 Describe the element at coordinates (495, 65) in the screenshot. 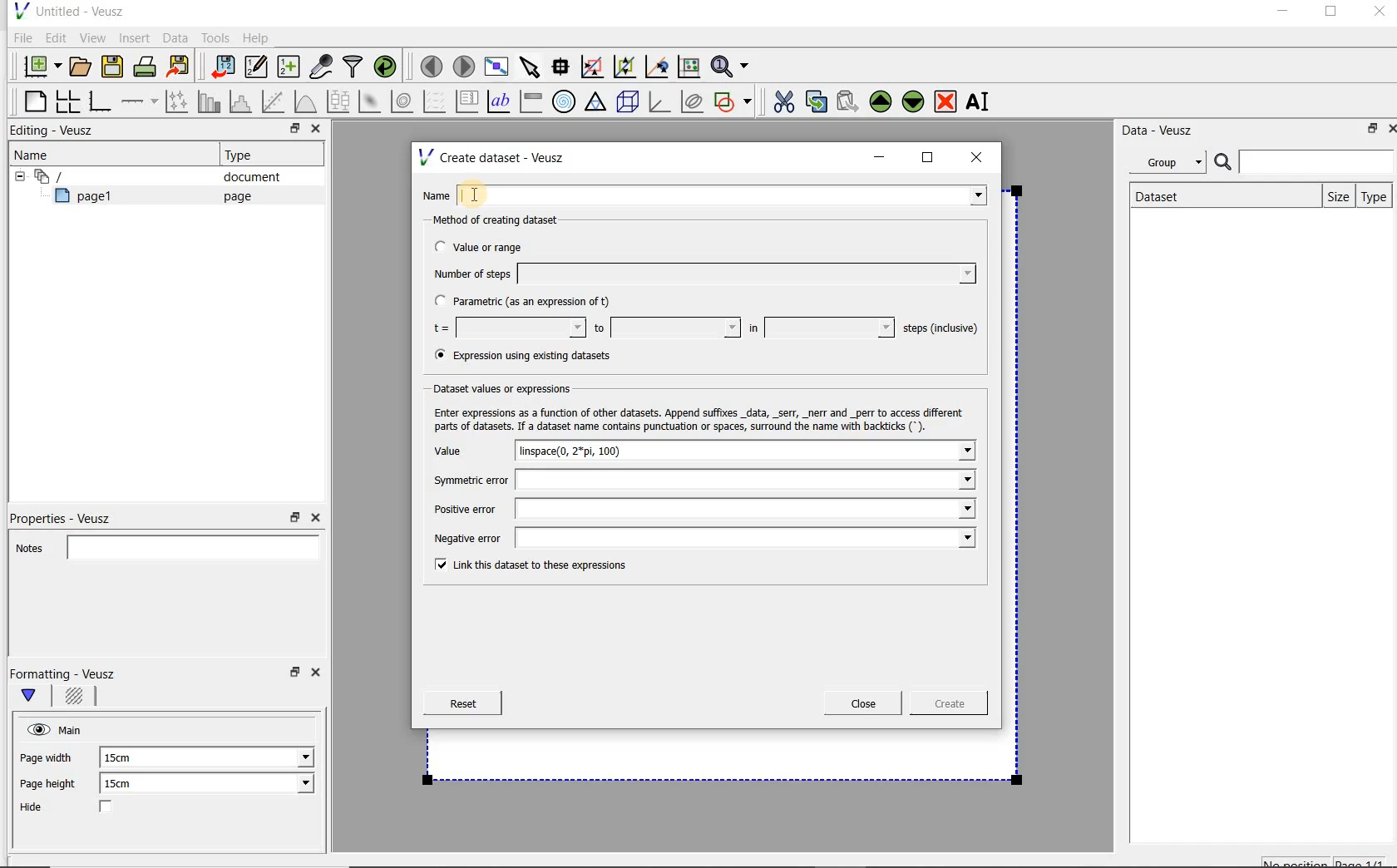

I see `view plot full screen` at that location.